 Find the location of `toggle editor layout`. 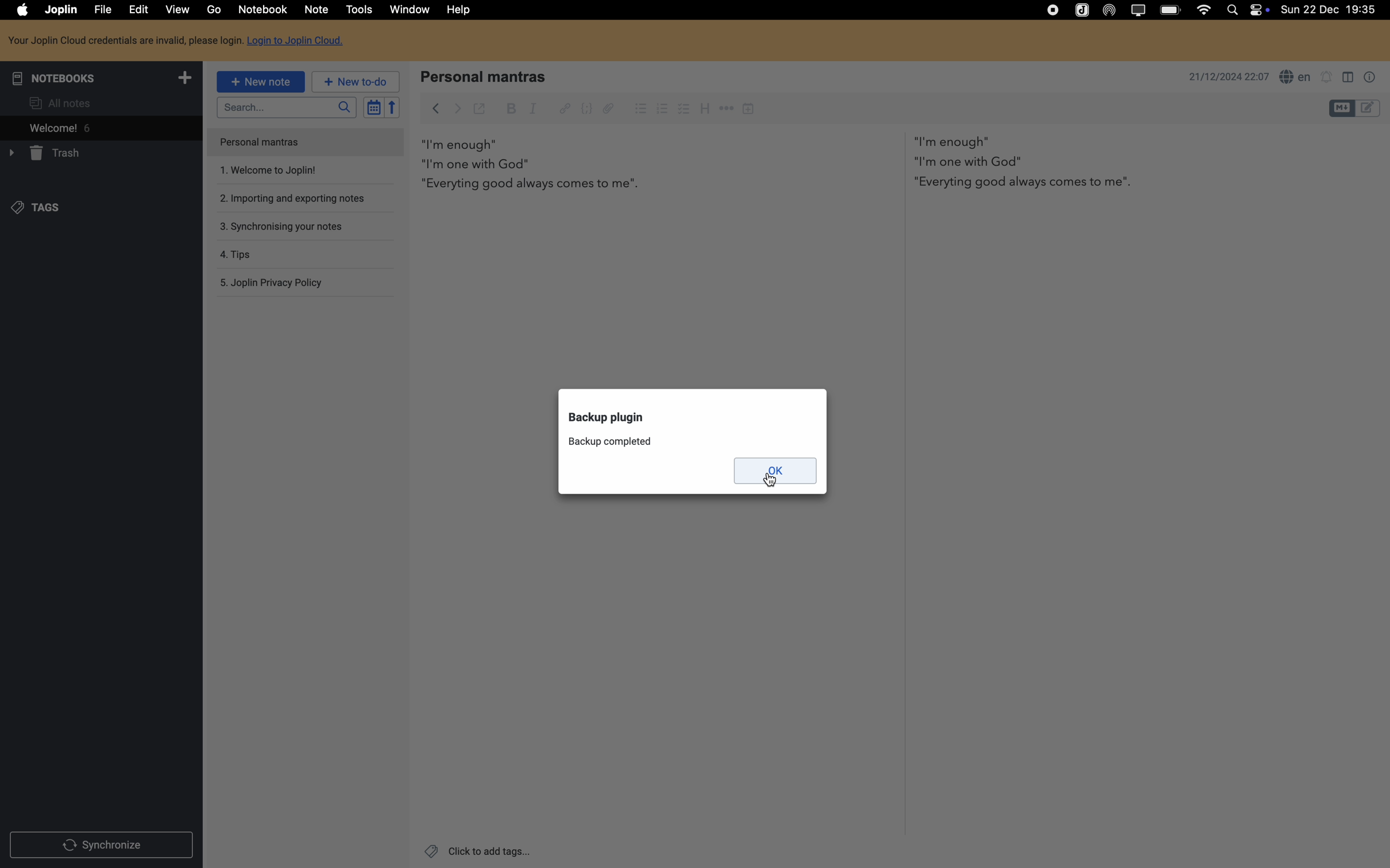

toggle editor layout is located at coordinates (1349, 77).